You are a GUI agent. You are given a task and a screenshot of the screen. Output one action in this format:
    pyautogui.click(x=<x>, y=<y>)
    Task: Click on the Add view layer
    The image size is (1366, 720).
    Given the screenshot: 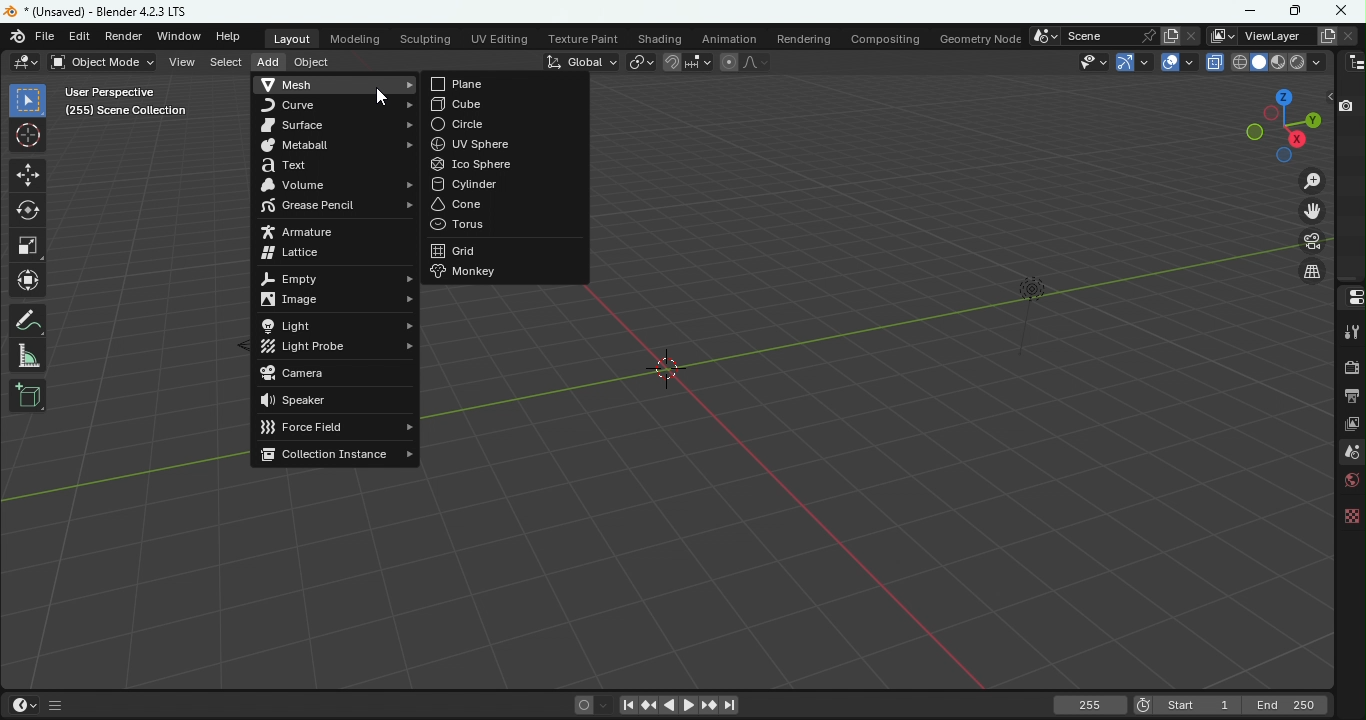 What is the action you would take?
    pyautogui.click(x=1324, y=34)
    